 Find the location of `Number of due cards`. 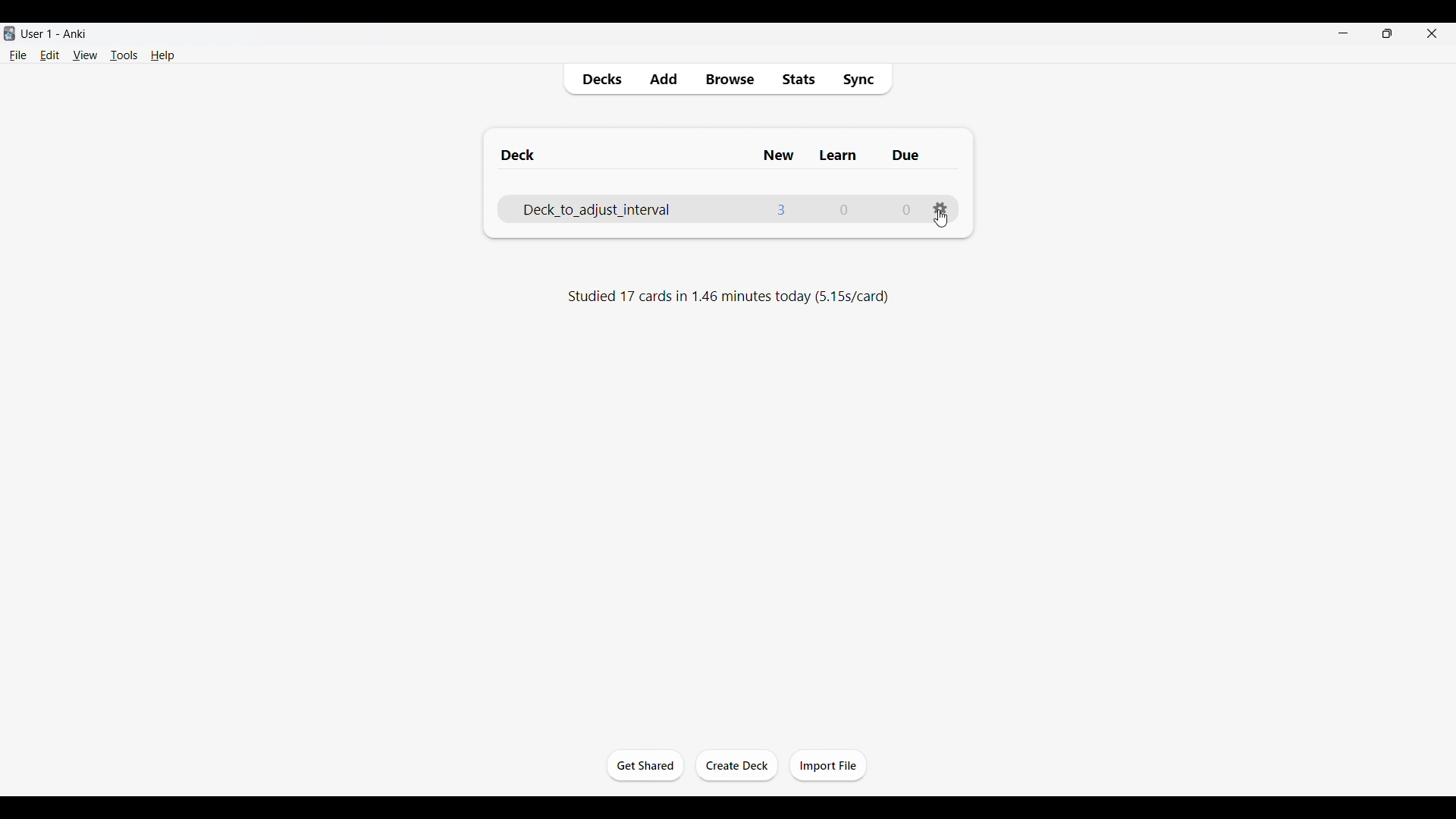

Number of due cards is located at coordinates (907, 209).